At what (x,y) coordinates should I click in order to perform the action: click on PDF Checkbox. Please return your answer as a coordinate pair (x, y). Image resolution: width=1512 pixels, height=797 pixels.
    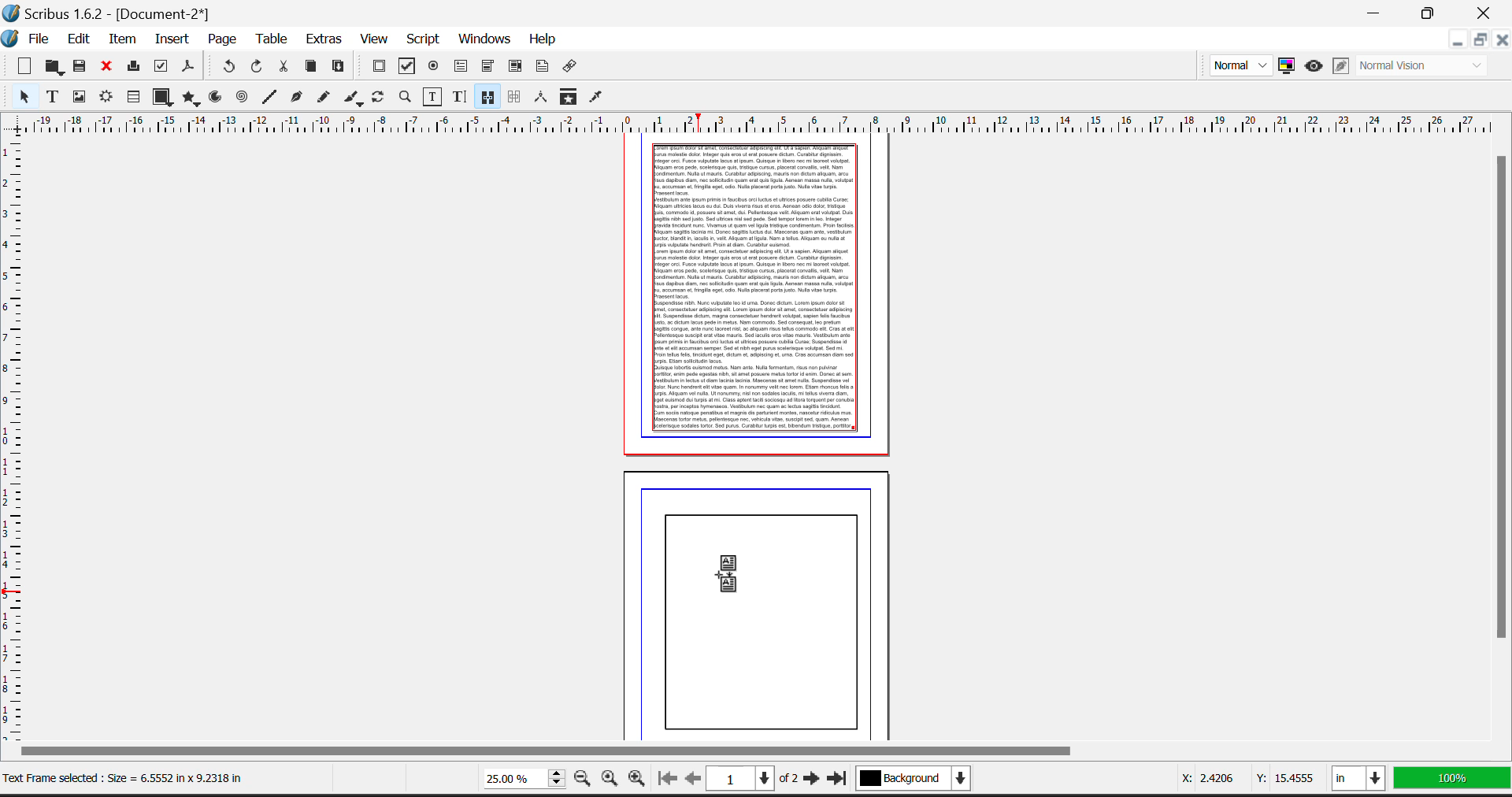
    Looking at the image, I should click on (379, 67).